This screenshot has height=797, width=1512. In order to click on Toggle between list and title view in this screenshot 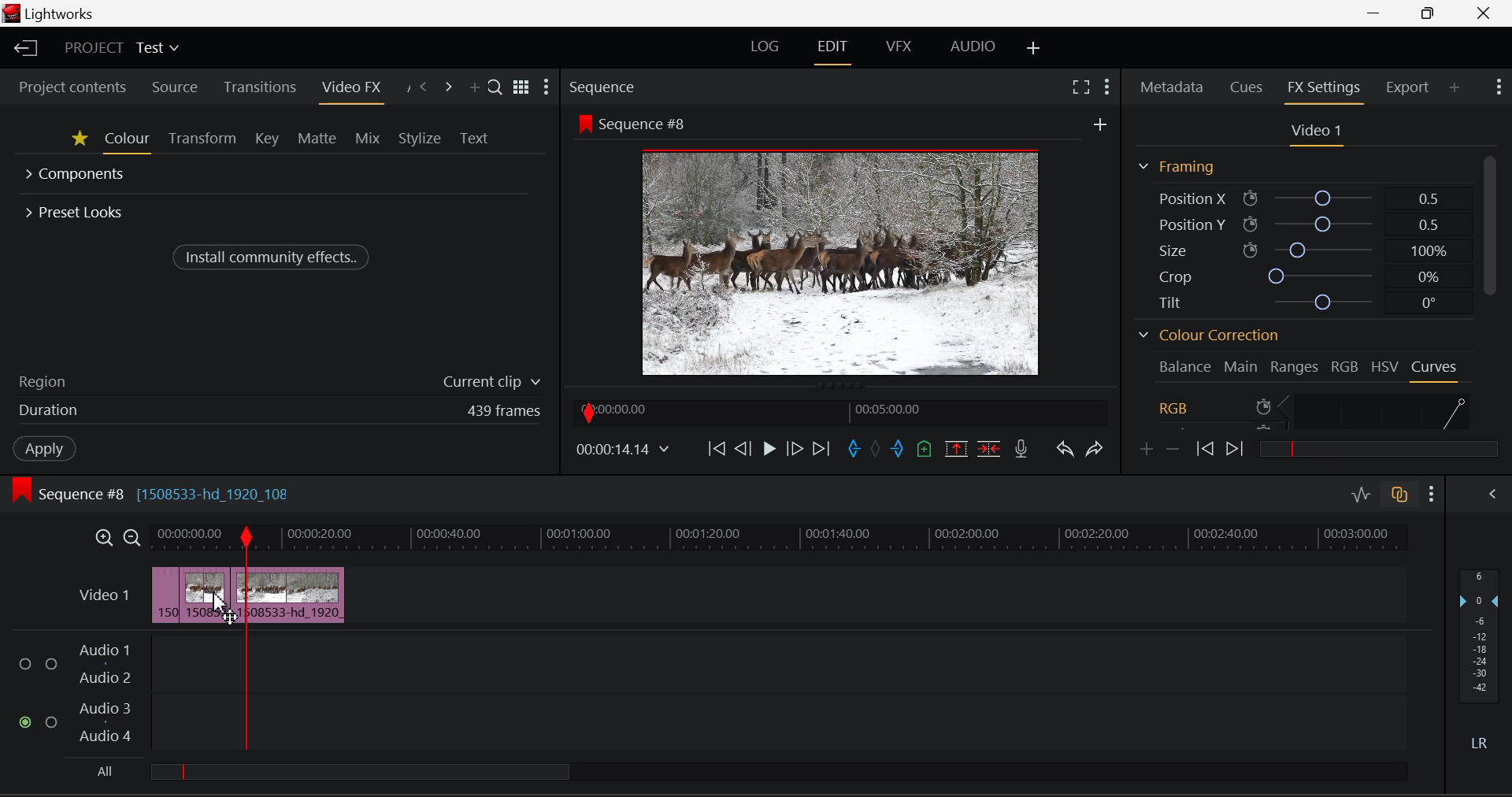, I will do `click(521, 87)`.